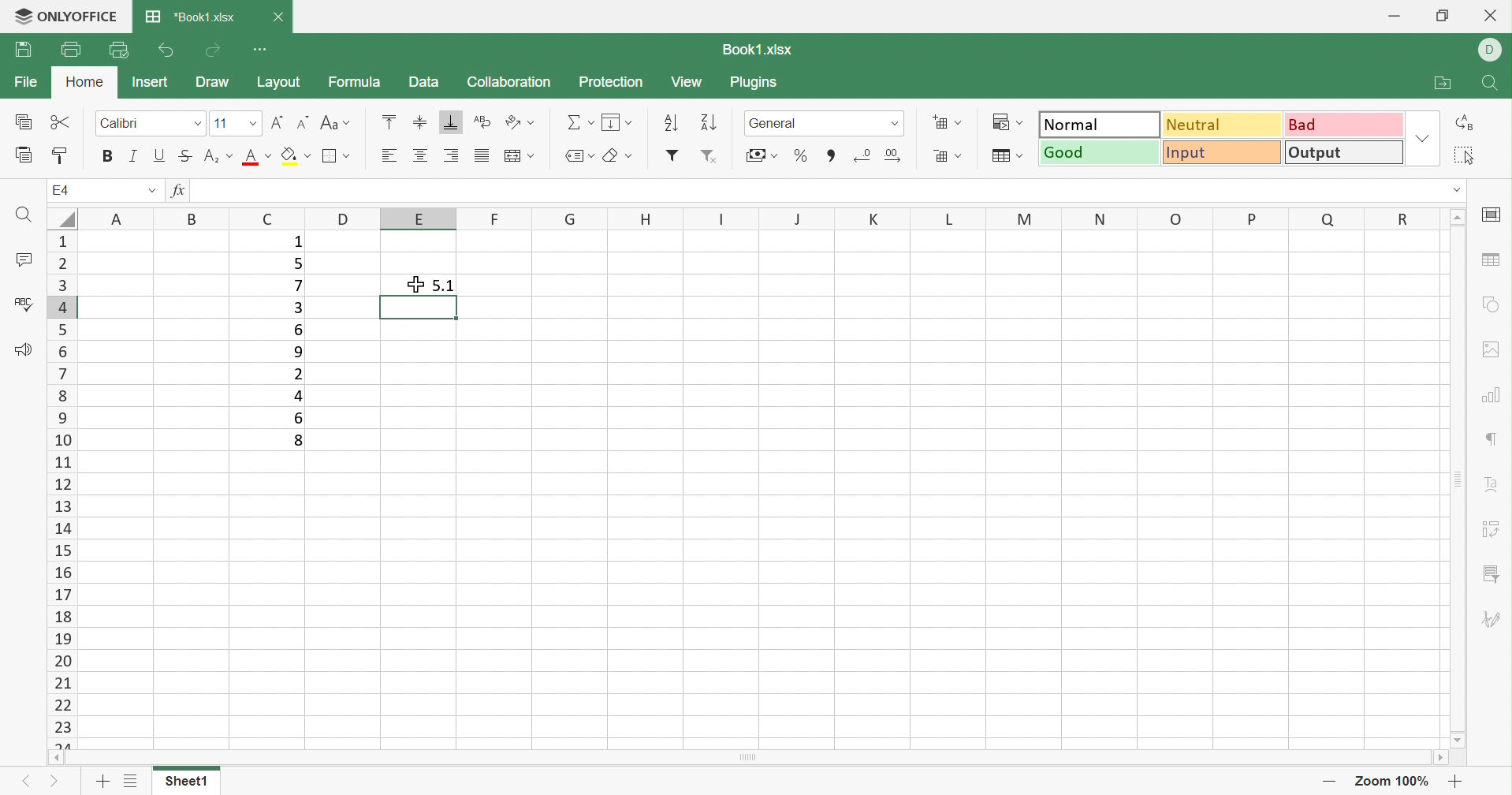 The height and width of the screenshot is (795, 1512). Describe the element at coordinates (1494, 396) in the screenshot. I see `chart settings` at that location.